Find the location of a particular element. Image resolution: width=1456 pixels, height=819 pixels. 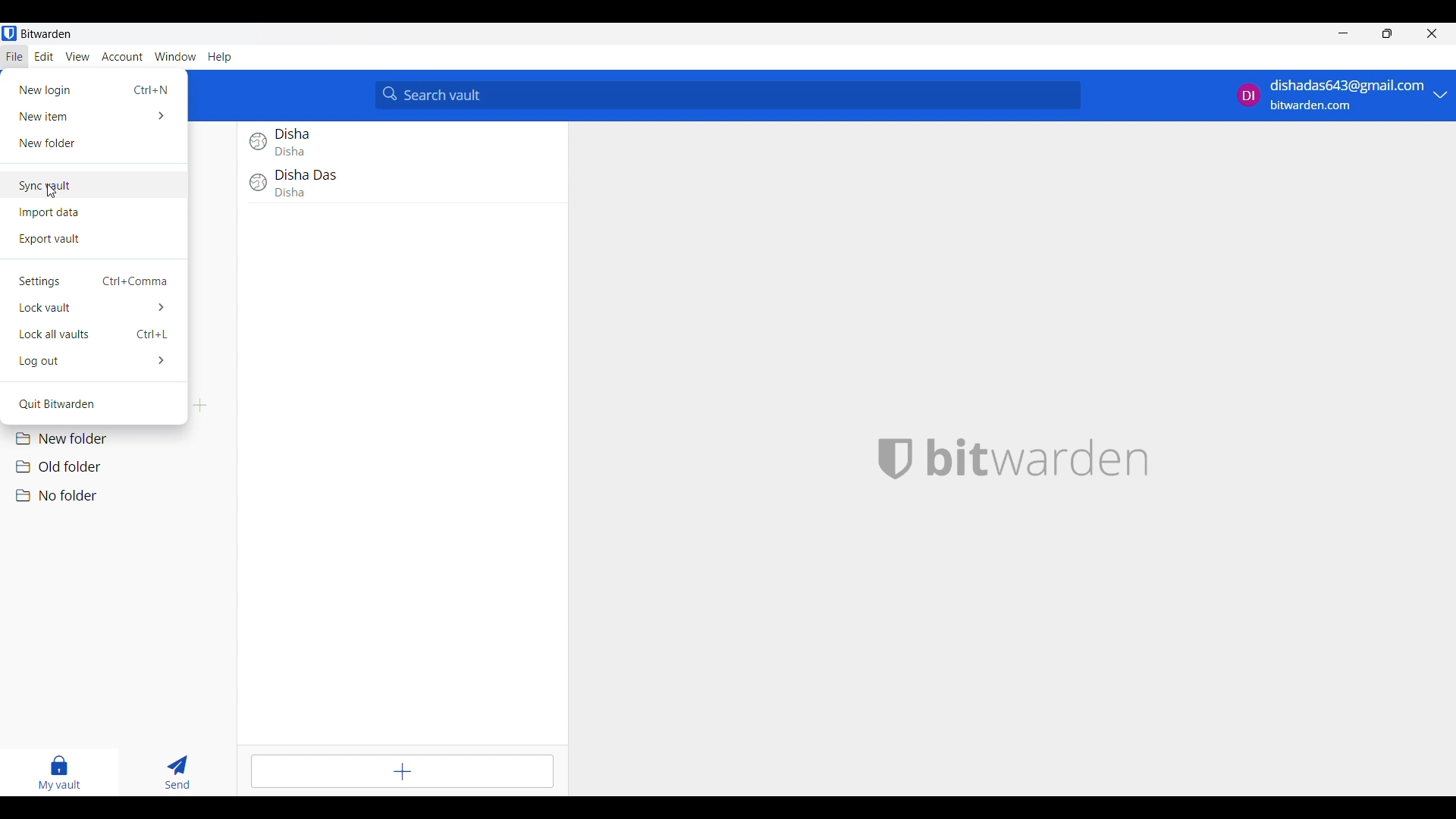

Close interface is located at coordinates (1432, 33).